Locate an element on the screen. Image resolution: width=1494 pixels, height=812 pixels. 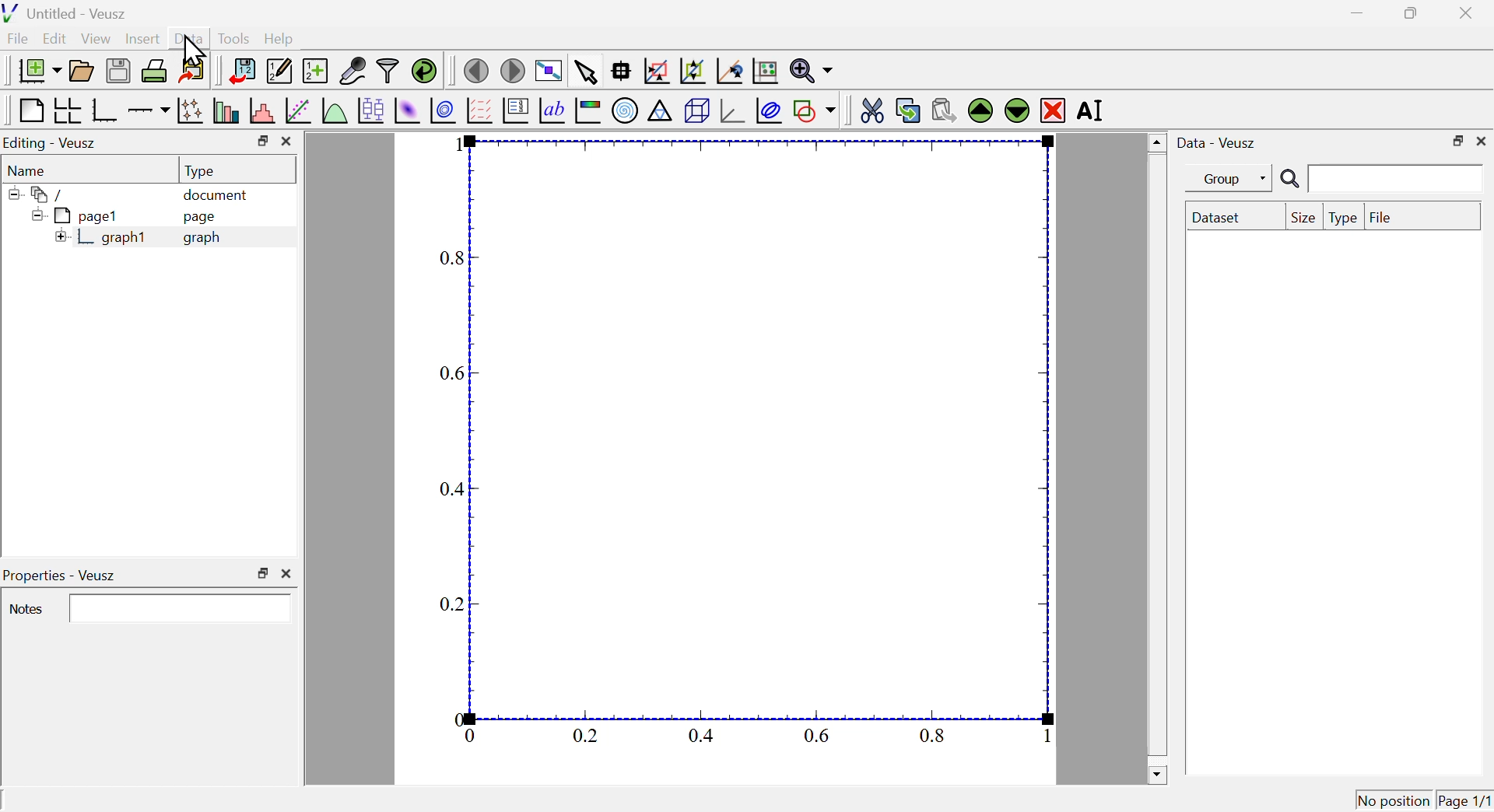
add a shape to the plot is located at coordinates (815, 110).